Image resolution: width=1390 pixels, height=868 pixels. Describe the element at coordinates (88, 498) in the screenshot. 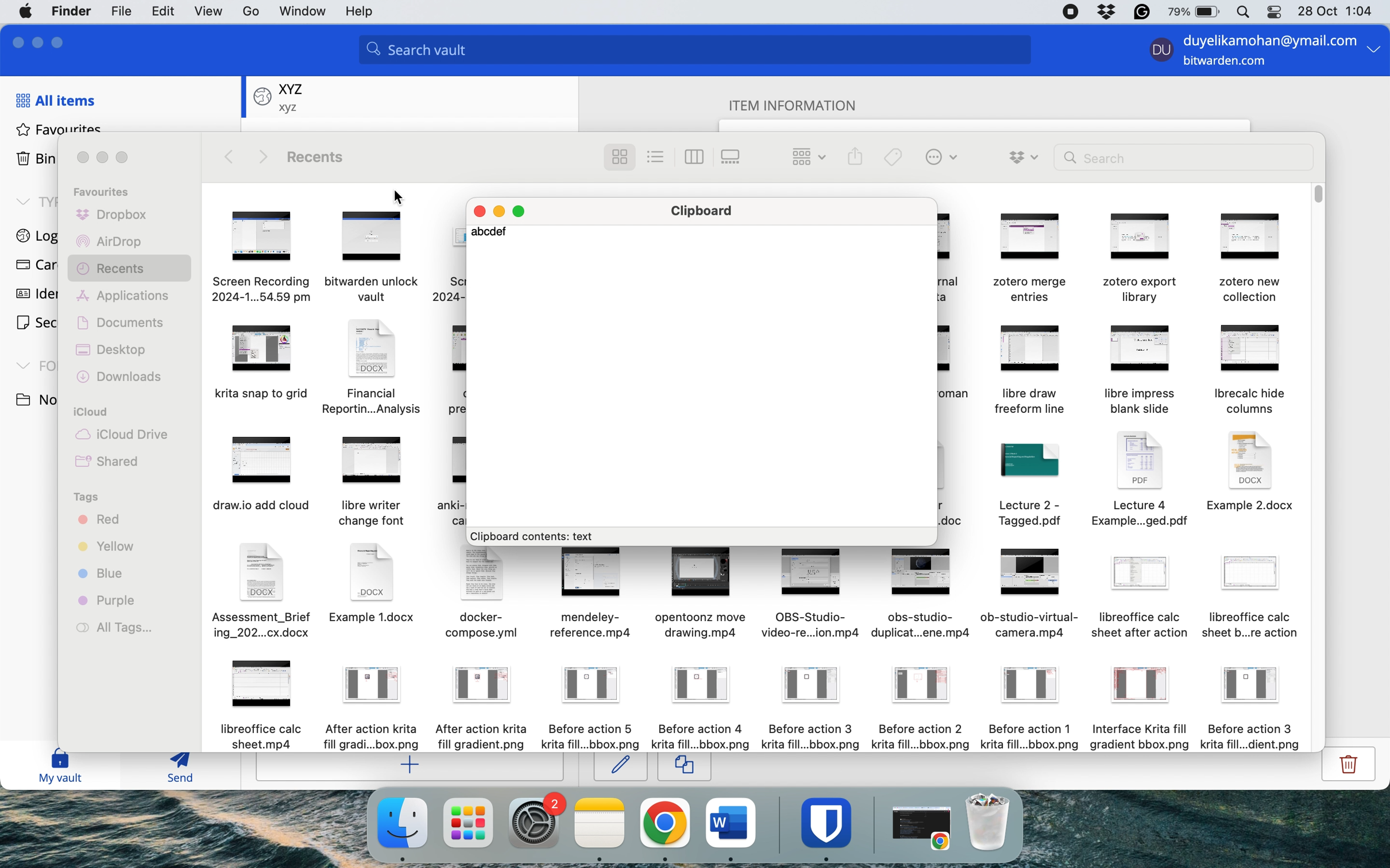

I see `tags` at that location.